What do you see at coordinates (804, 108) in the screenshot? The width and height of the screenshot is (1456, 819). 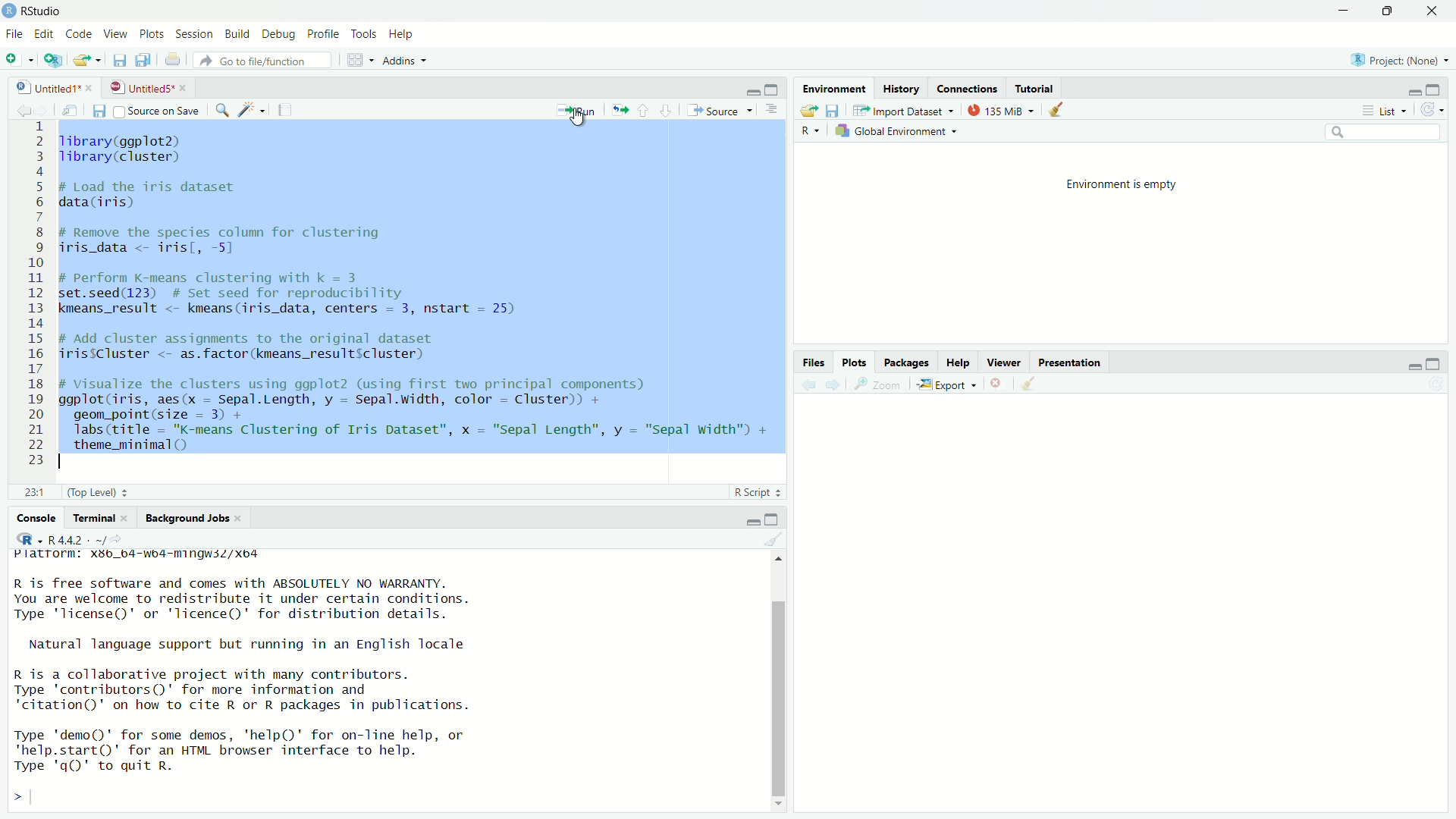 I see `load workspace` at bounding box center [804, 108].